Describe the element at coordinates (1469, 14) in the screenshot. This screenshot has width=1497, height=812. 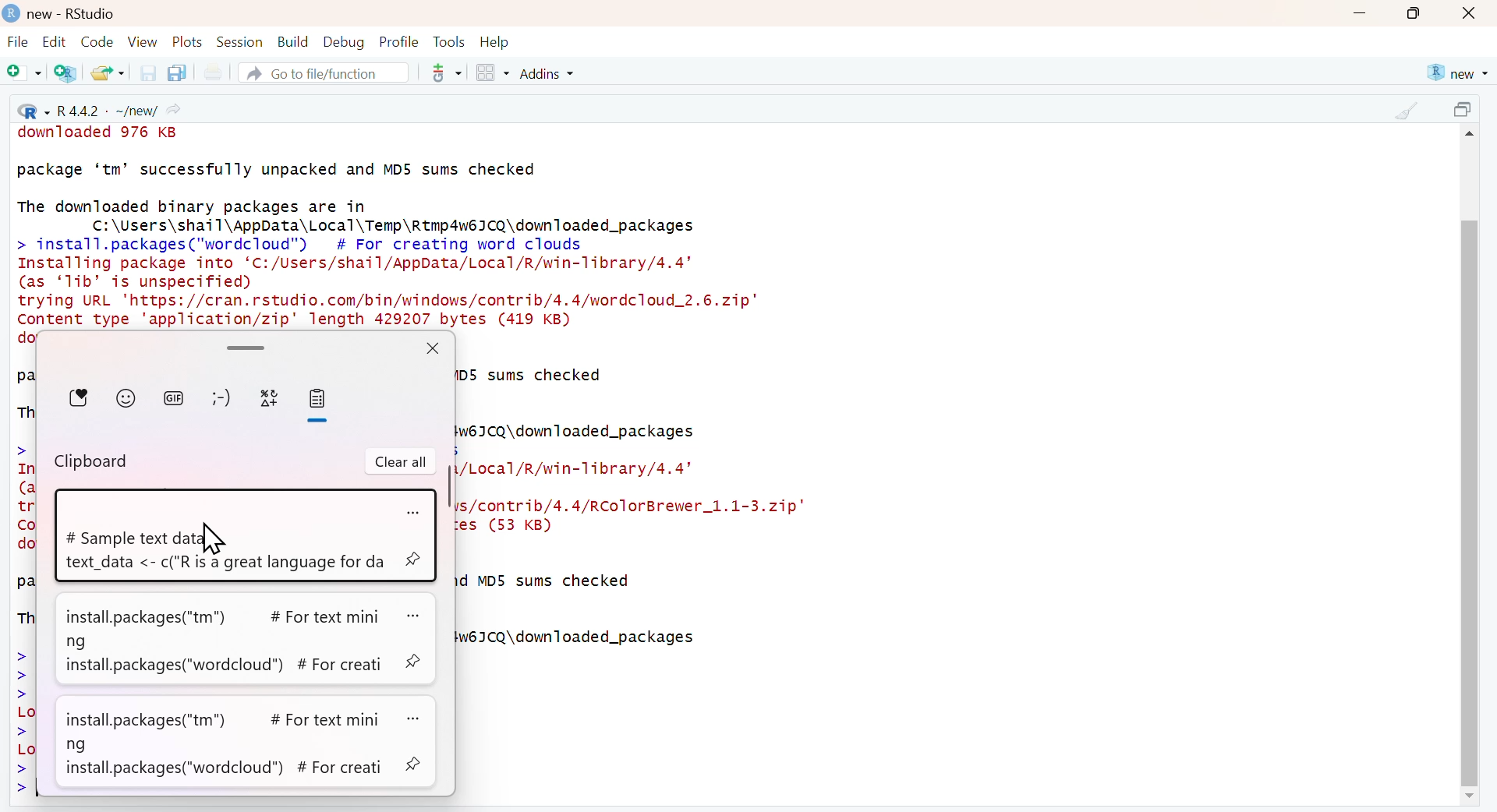
I see `close` at that location.